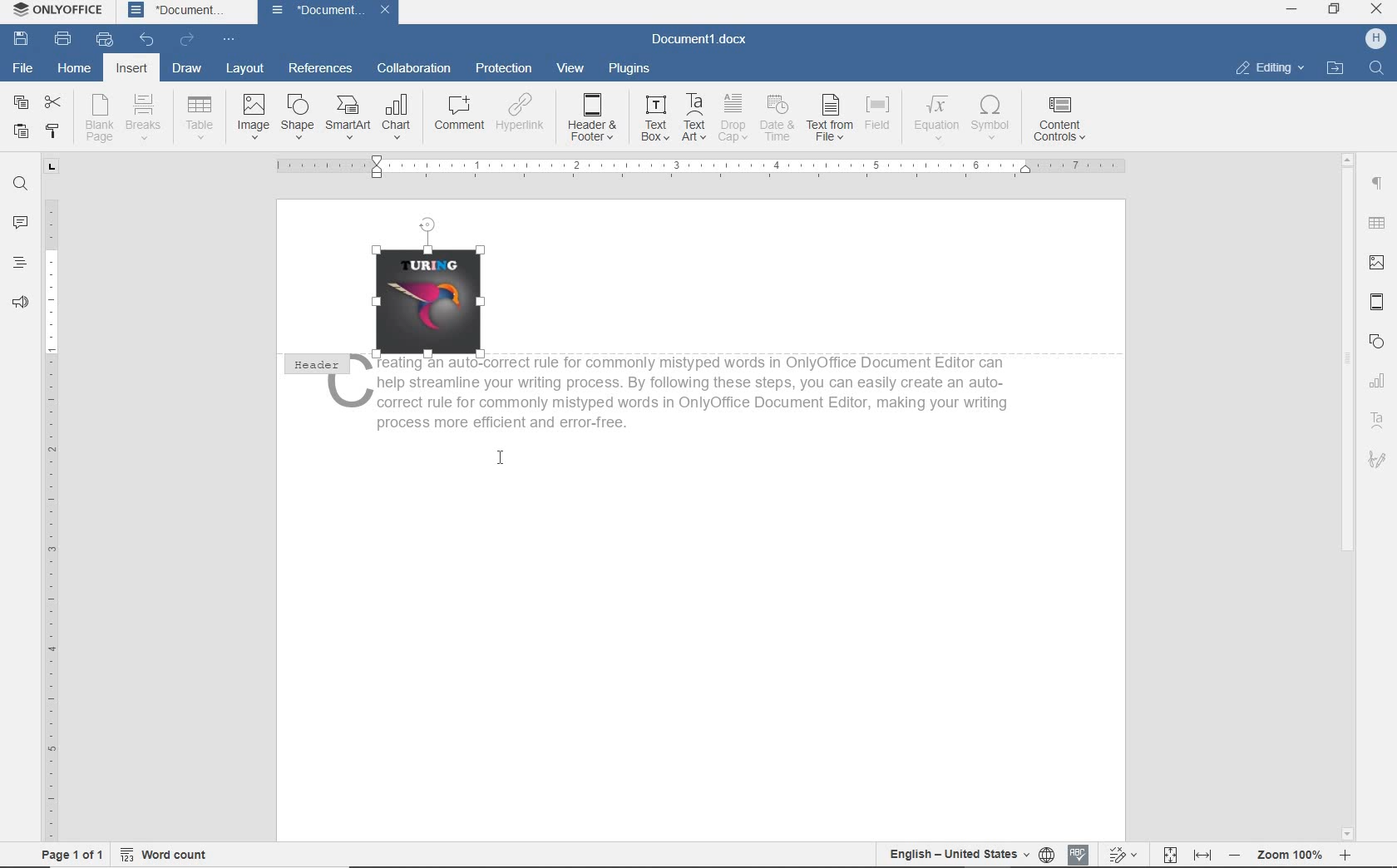 The width and height of the screenshot is (1397, 868). I want to click on COMMENTS, so click(19, 221).